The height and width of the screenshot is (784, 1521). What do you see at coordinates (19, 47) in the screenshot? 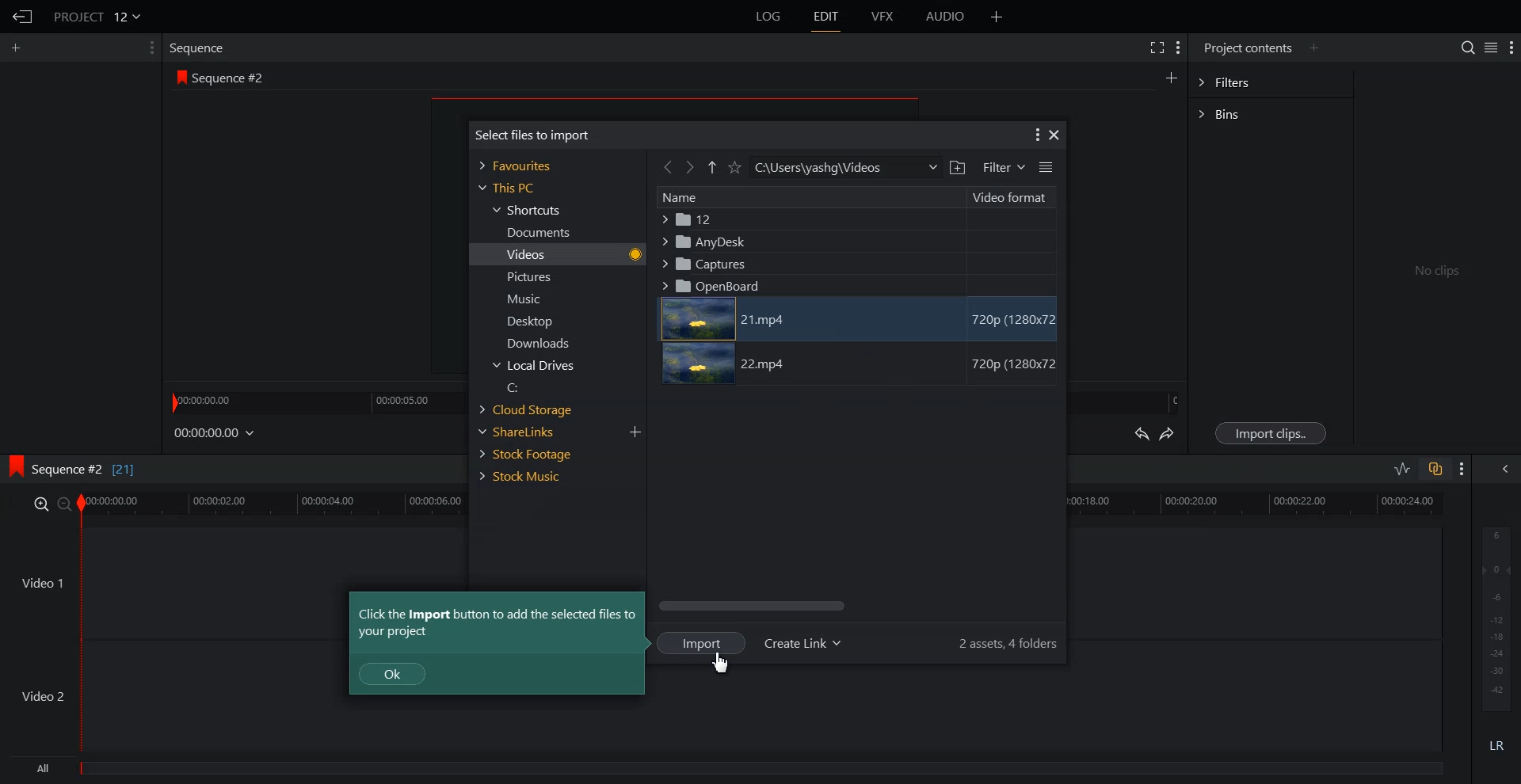
I see `Add Panel` at bounding box center [19, 47].